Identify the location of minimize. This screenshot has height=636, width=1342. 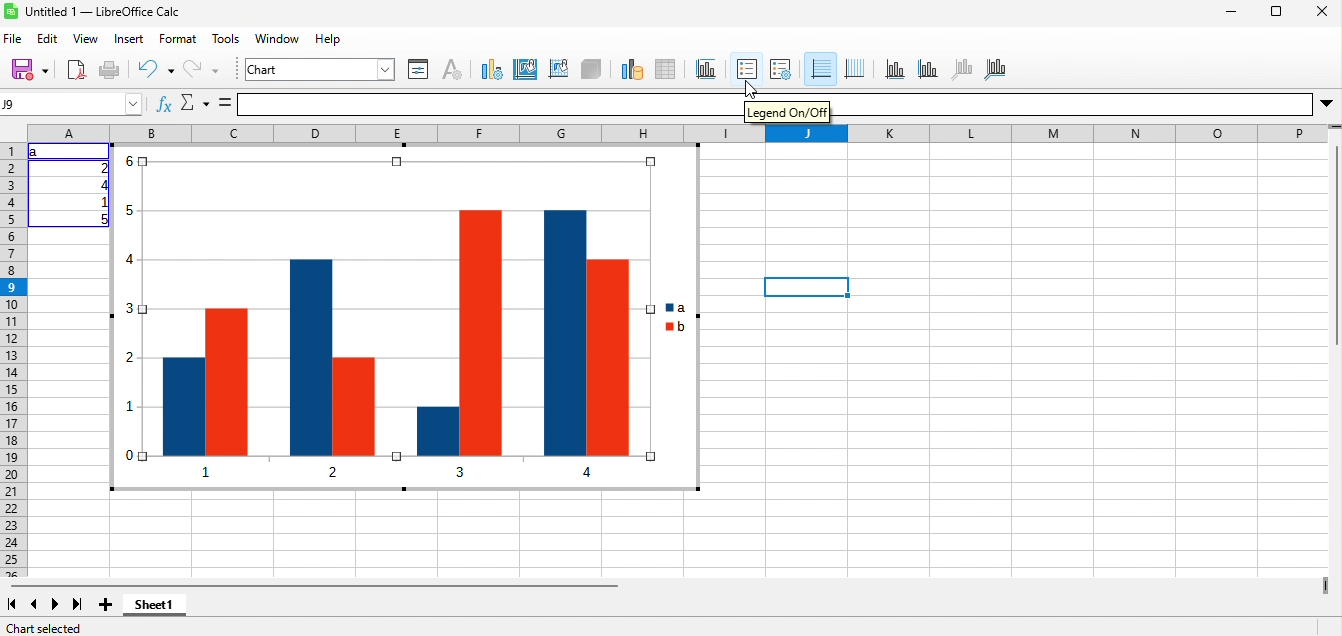
(1232, 11).